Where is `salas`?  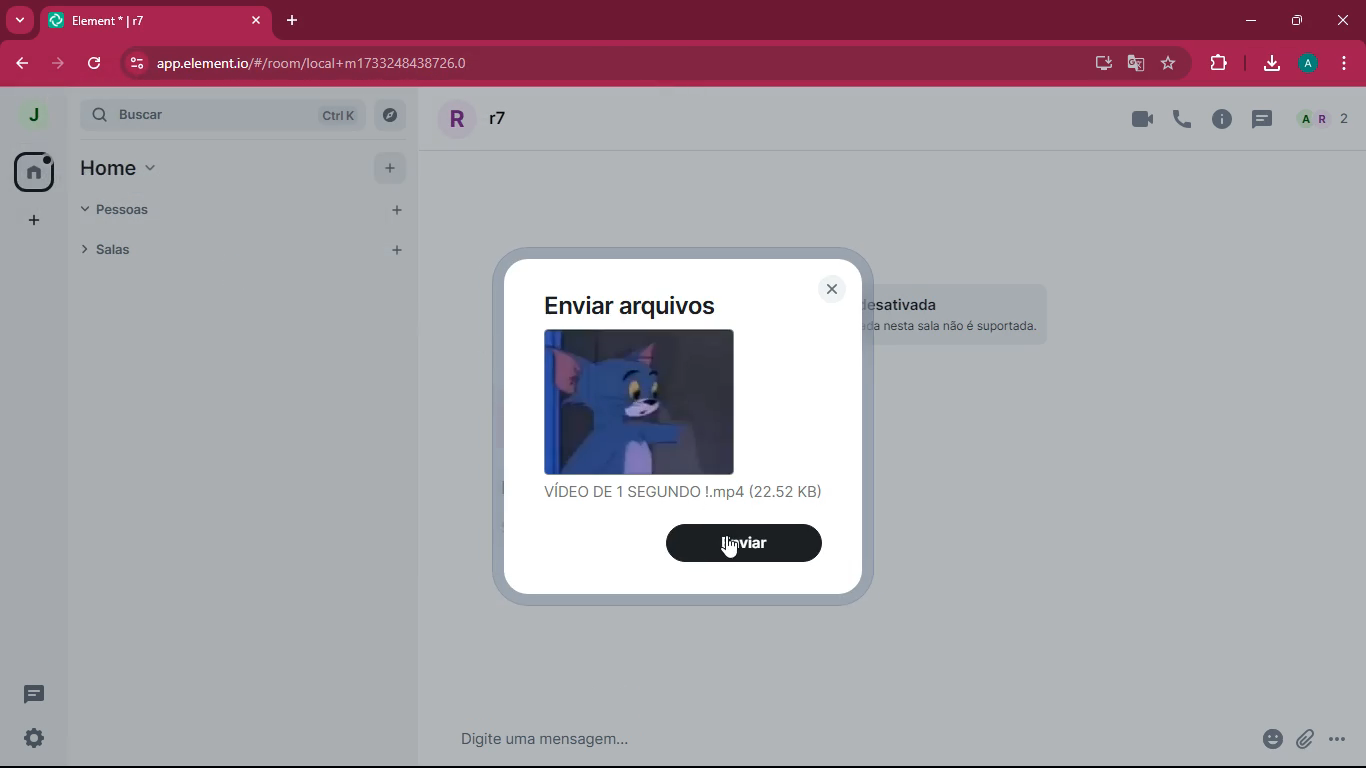 salas is located at coordinates (215, 248).